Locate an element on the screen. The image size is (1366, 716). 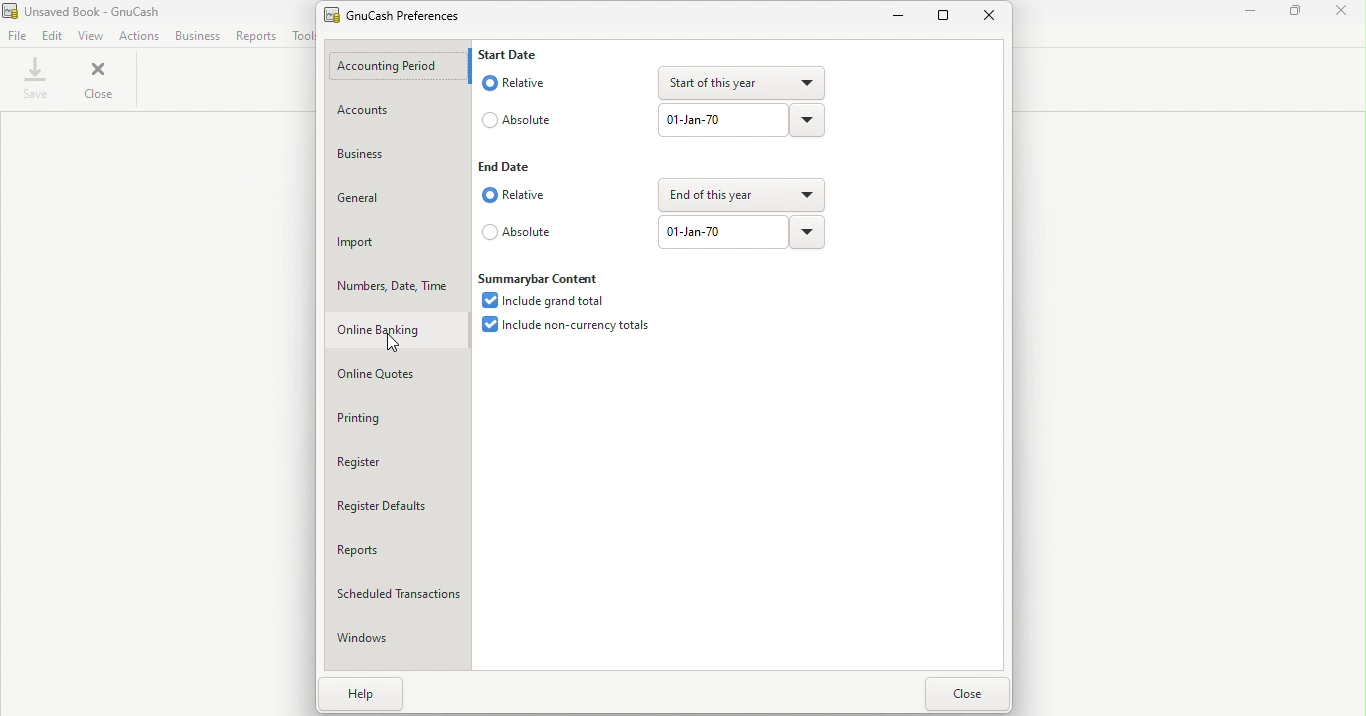
Numbers, date, time is located at coordinates (398, 286).